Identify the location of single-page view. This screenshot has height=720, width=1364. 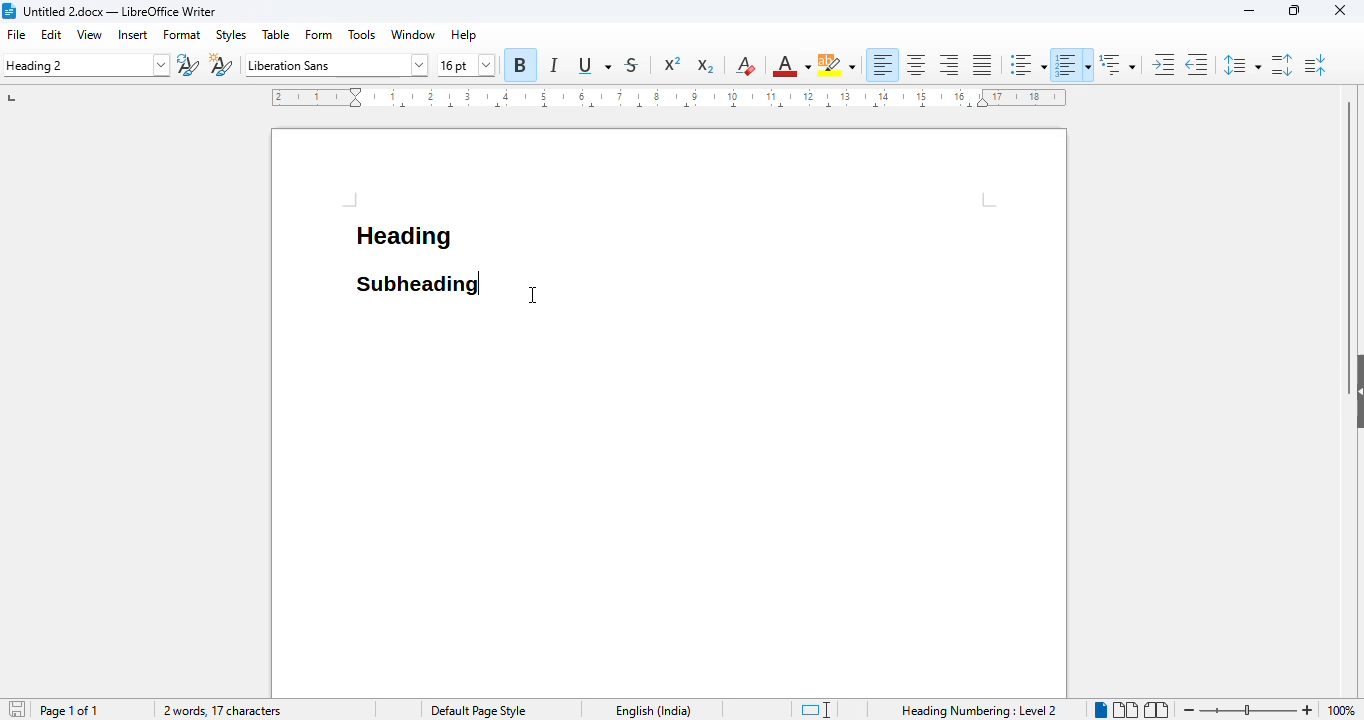
(1101, 710).